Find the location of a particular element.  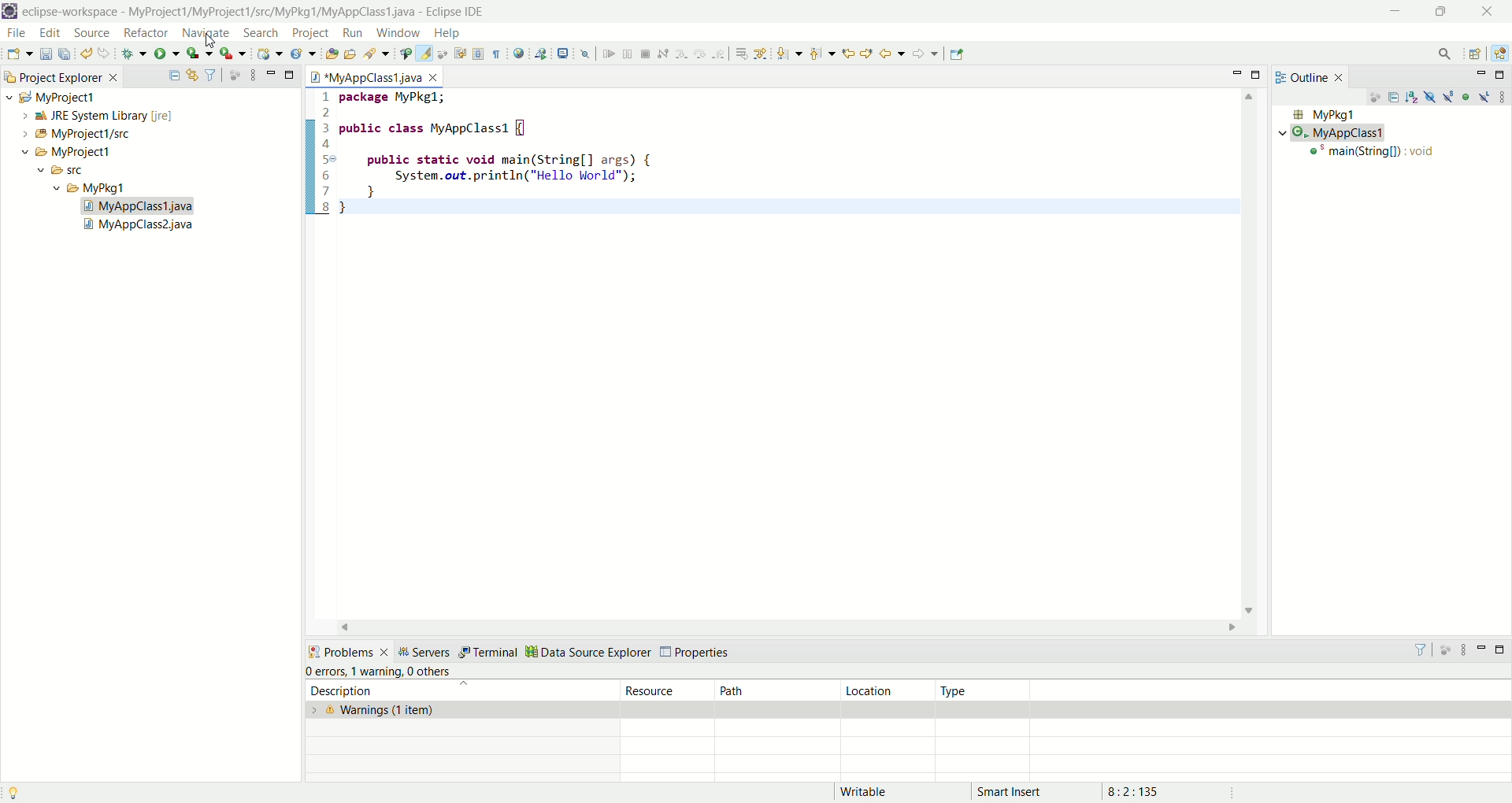

hide field is located at coordinates (1428, 96).